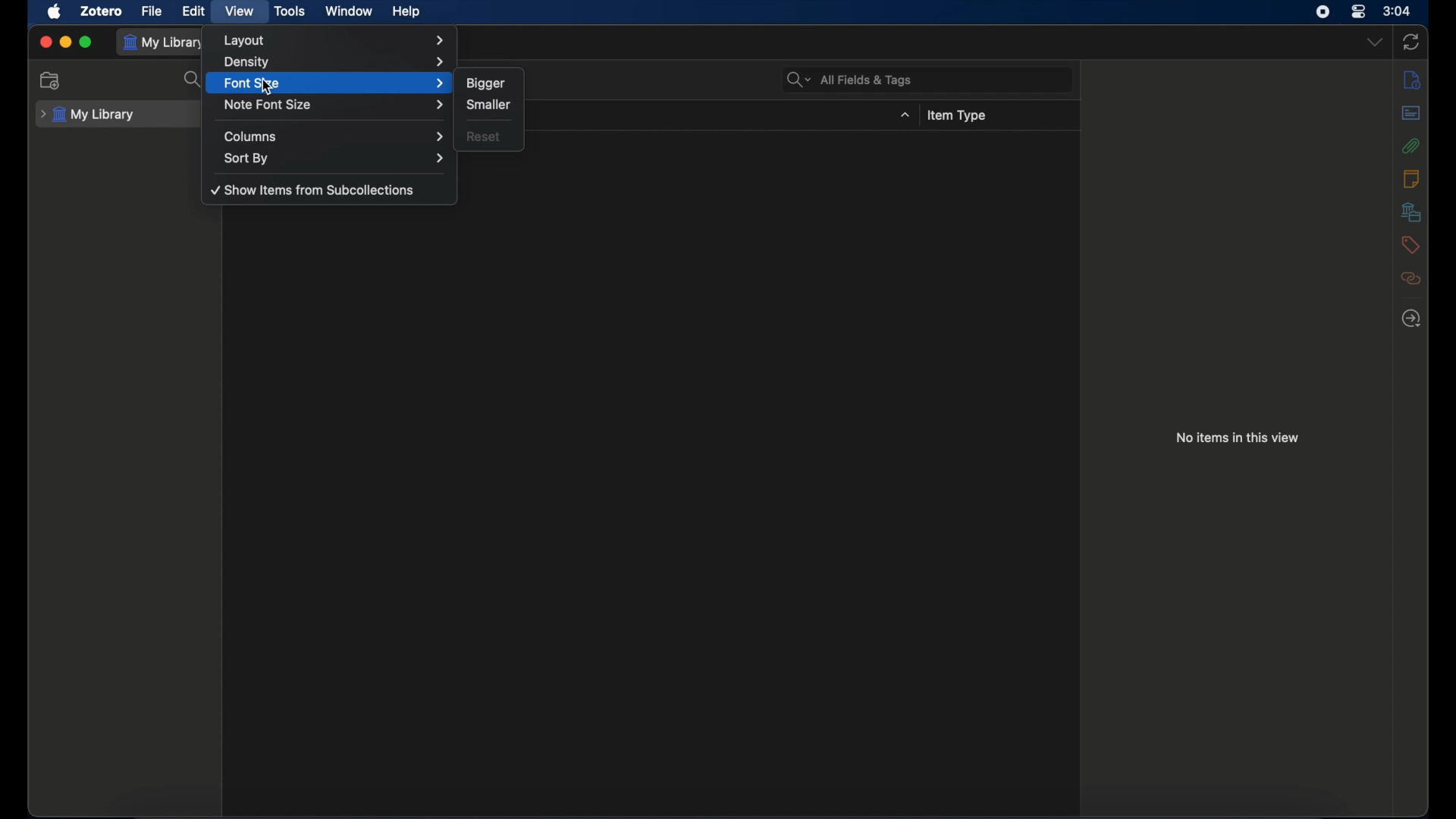 This screenshot has height=819, width=1456. Describe the element at coordinates (1410, 112) in the screenshot. I see `abstract` at that location.